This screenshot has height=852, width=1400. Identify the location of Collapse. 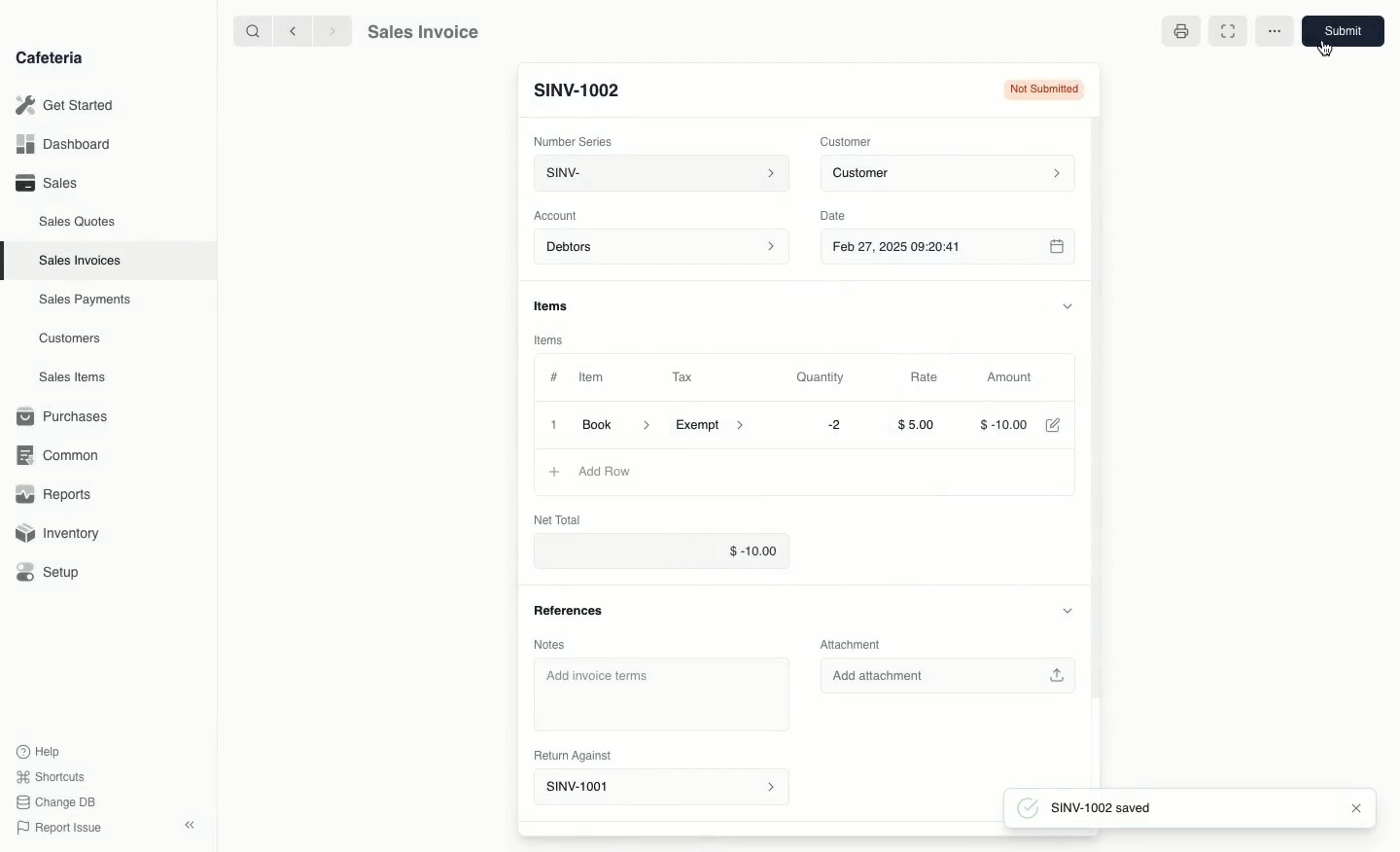
(192, 825).